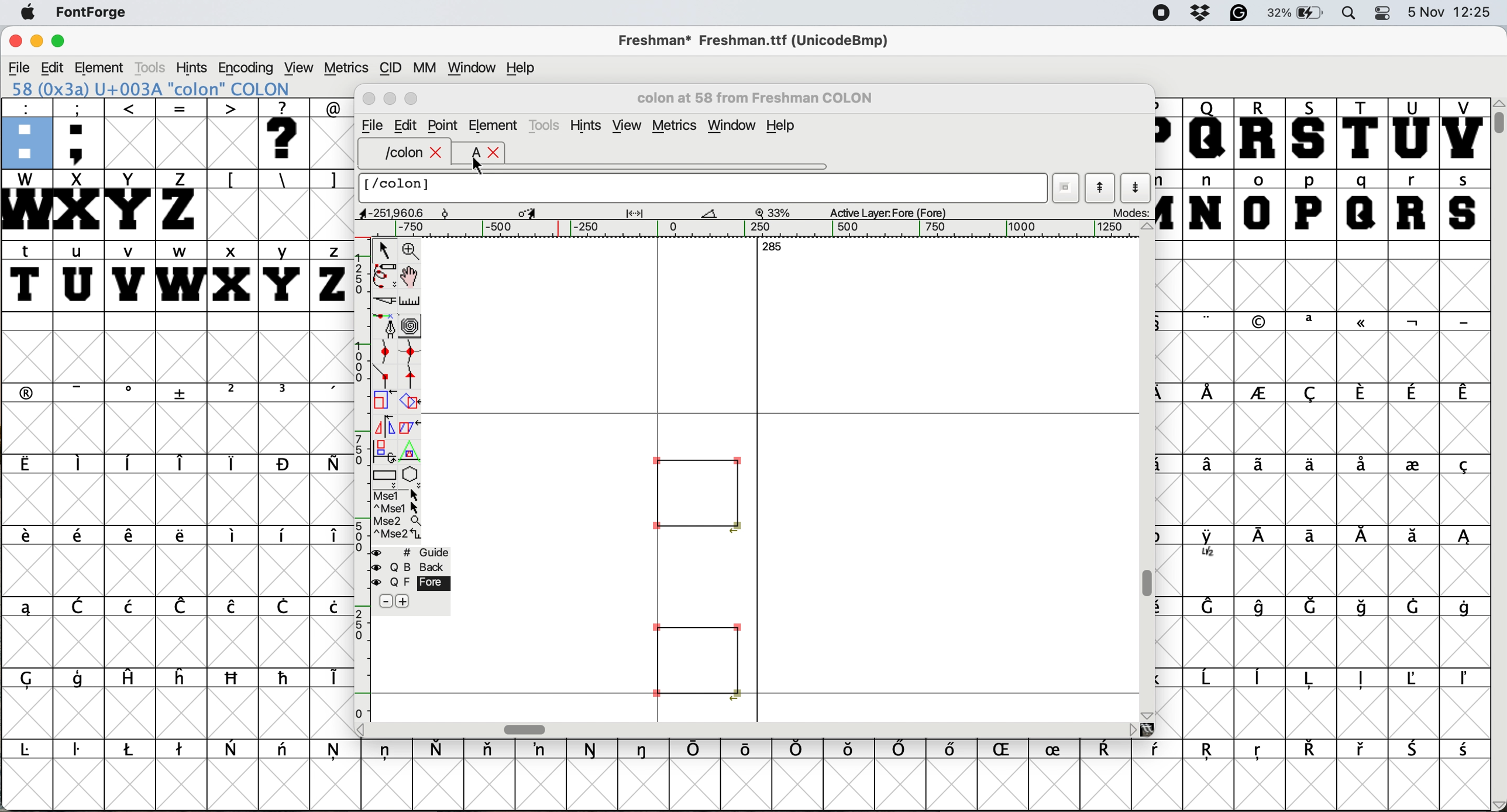 The height and width of the screenshot is (812, 1507). Describe the element at coordinates (1309, 749) in the screenshot. I see `symbol` at that location.